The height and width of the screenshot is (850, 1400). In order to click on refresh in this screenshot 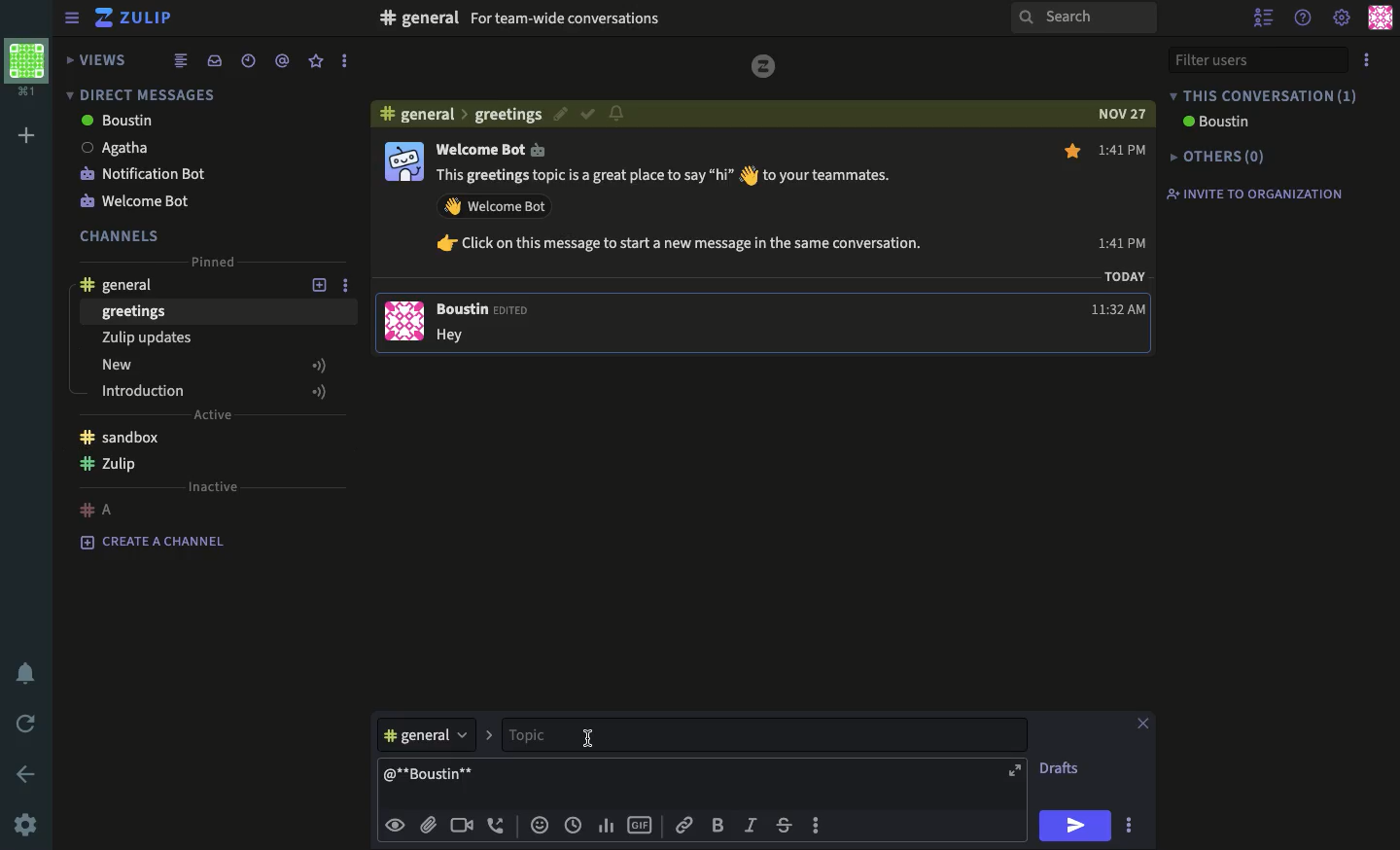, I will do `click(29, 725)`.